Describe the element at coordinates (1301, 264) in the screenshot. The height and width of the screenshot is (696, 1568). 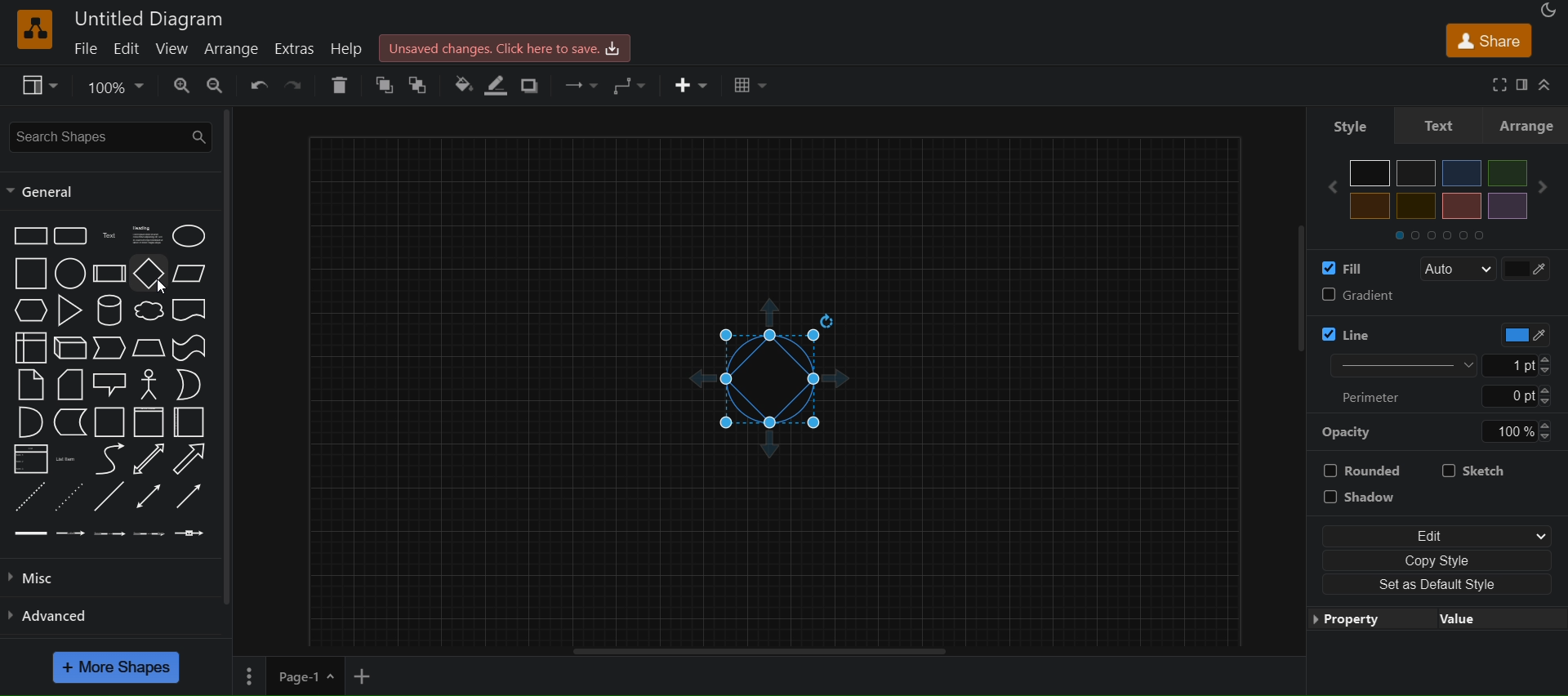
I see `vertical scroll bar` at that location.